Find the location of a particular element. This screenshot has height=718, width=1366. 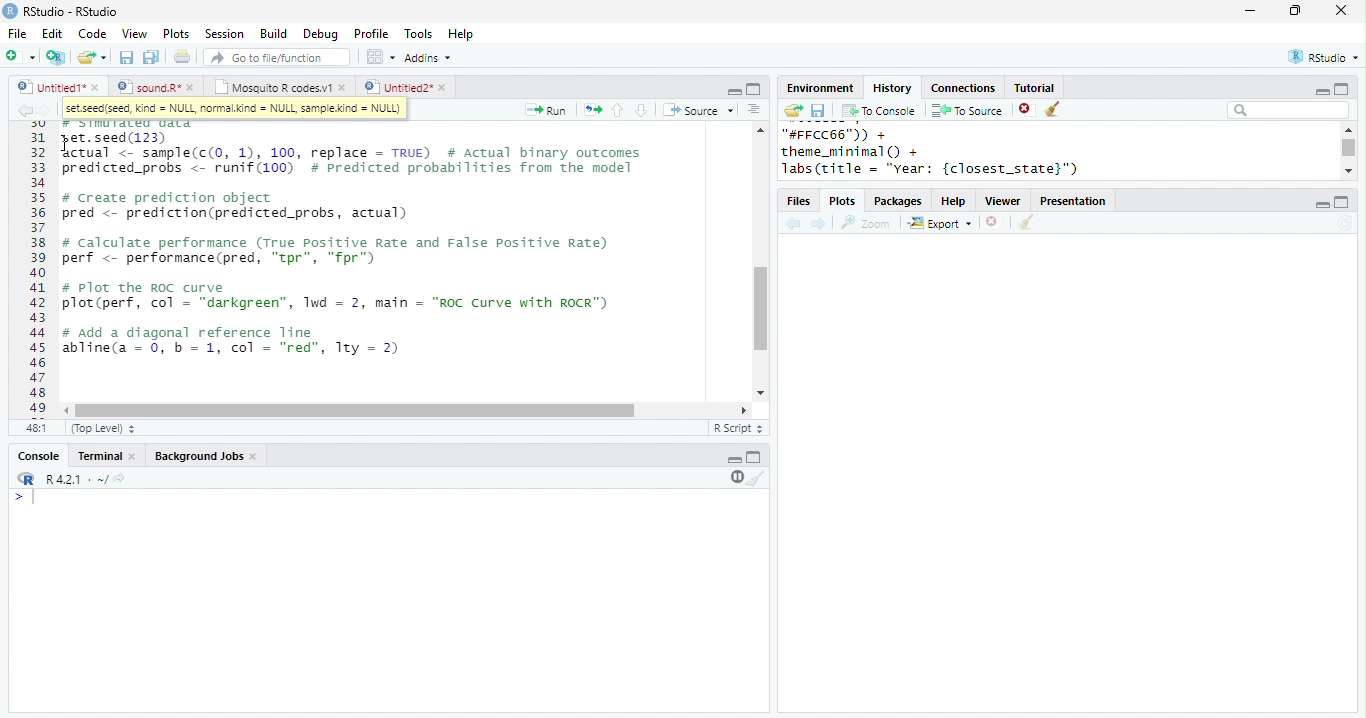

close is located at coordinates (445, 88).